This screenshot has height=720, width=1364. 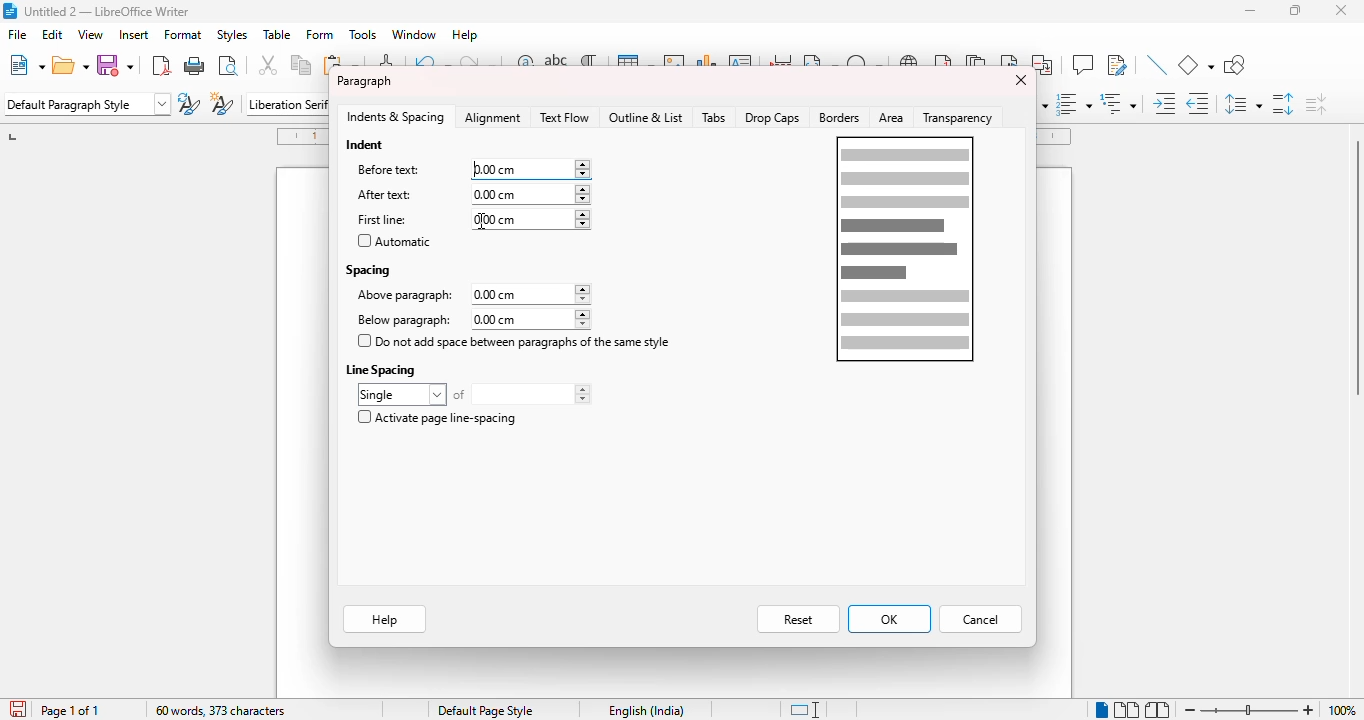 I want to click on before text: 0.00 cm, so click(x=471, y=169).